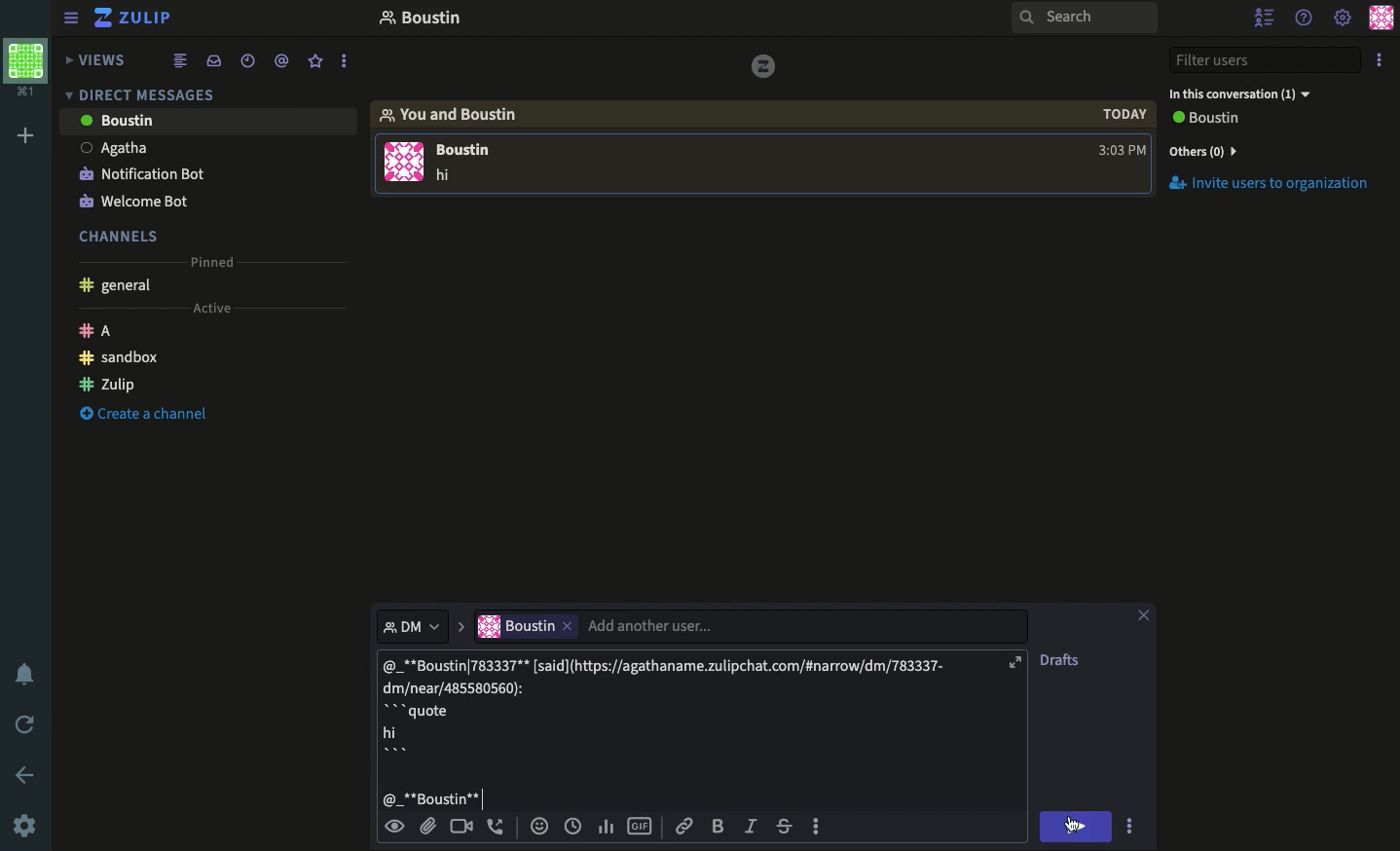  I want to click on A, so click(101, 329).